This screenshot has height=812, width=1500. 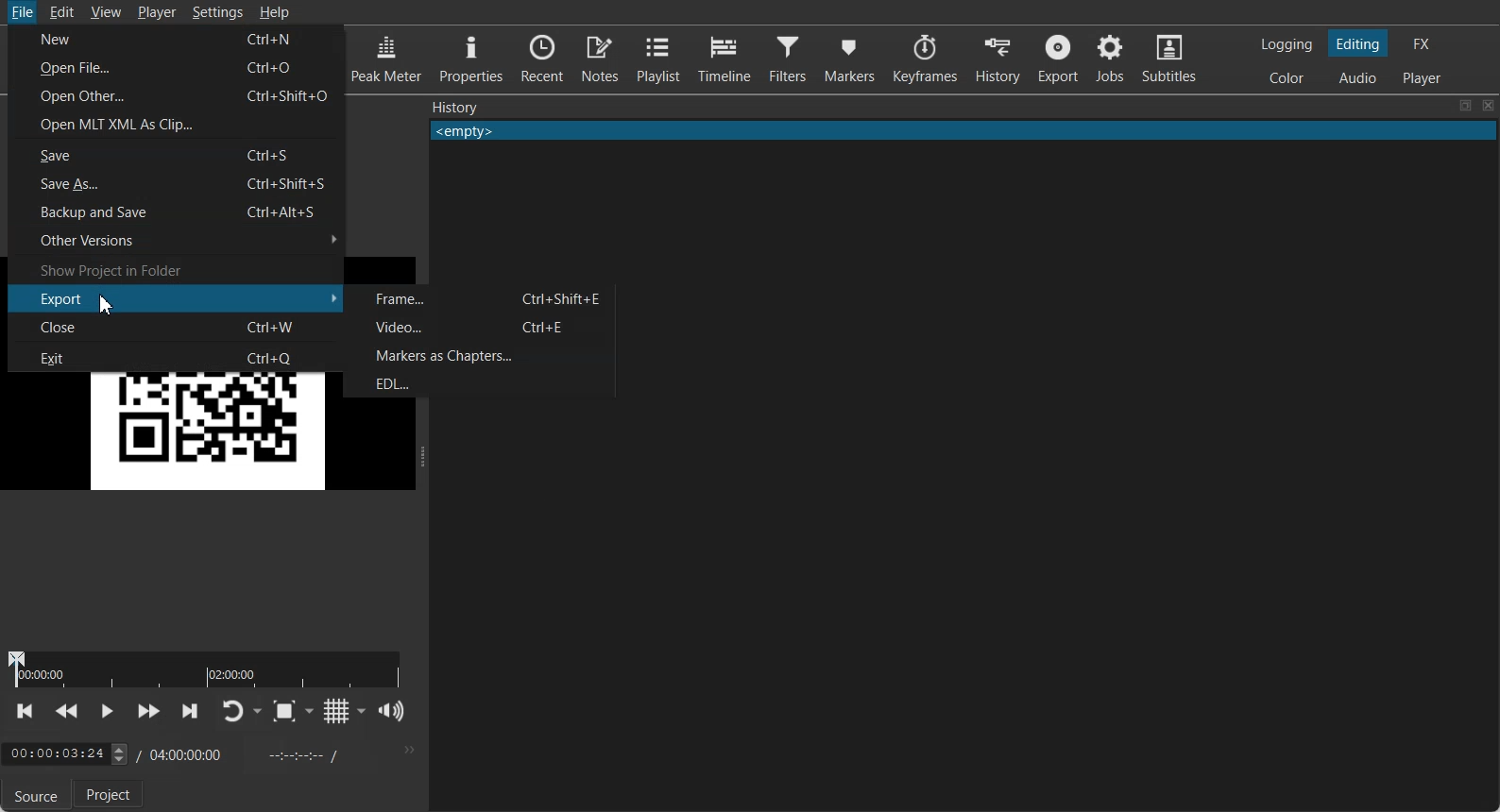 What do you see at coordinates (1489, 106) in the screenshot?
I see `Close` at bounding box center [1489, 106].